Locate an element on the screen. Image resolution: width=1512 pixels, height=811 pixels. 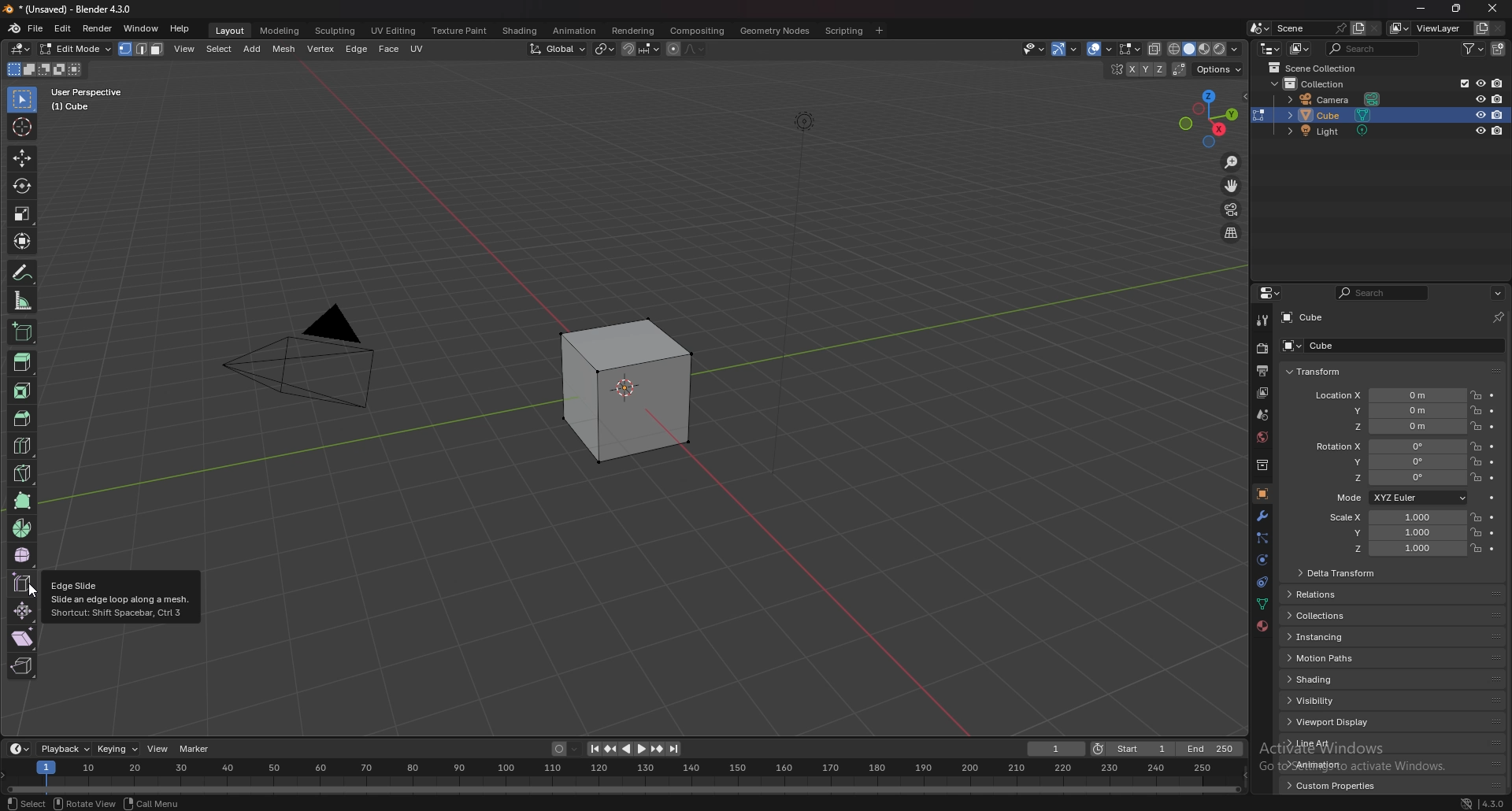
object mode is located at coordinates (72, 49).